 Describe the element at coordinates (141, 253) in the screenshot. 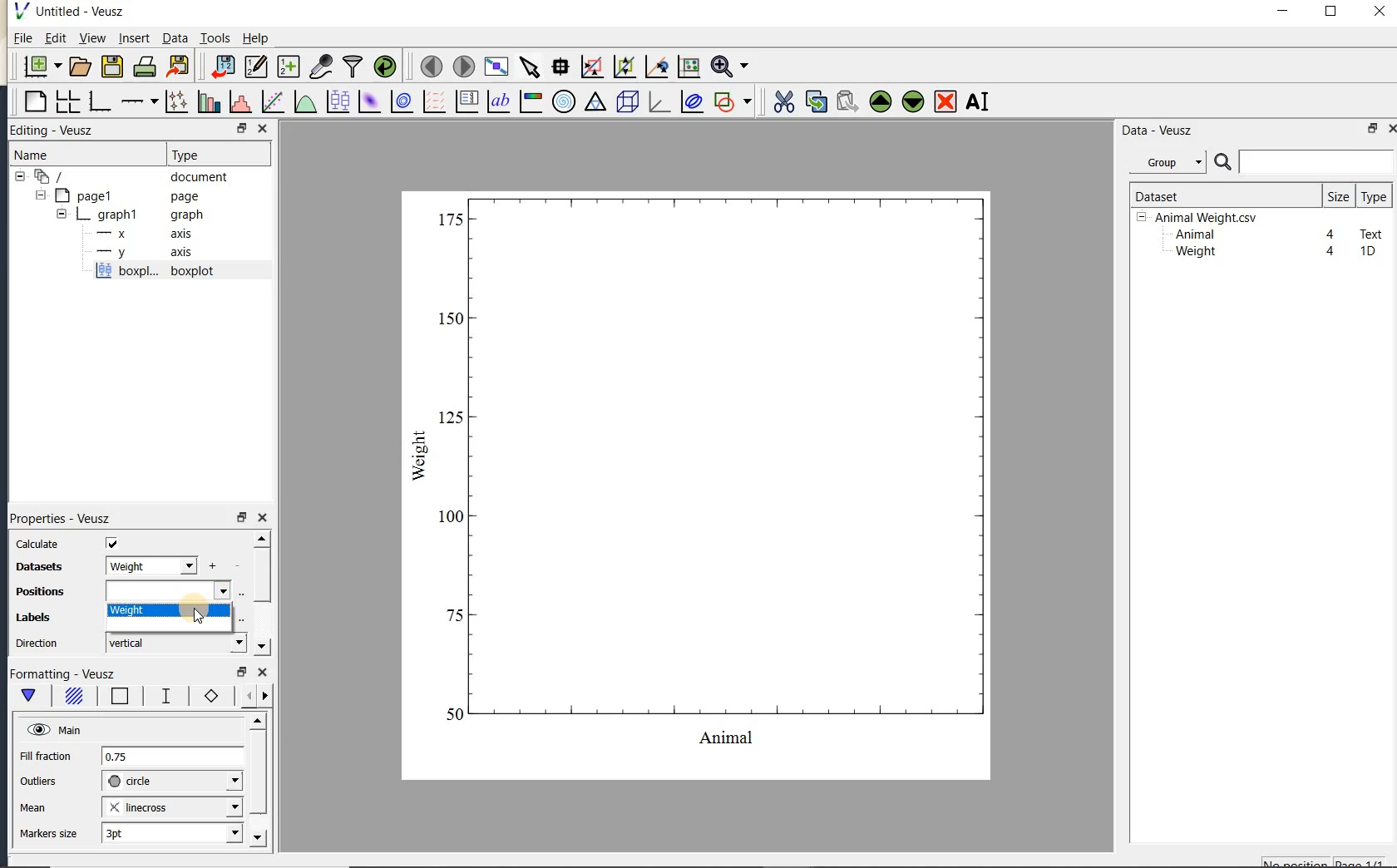

I see `axis` at that location.